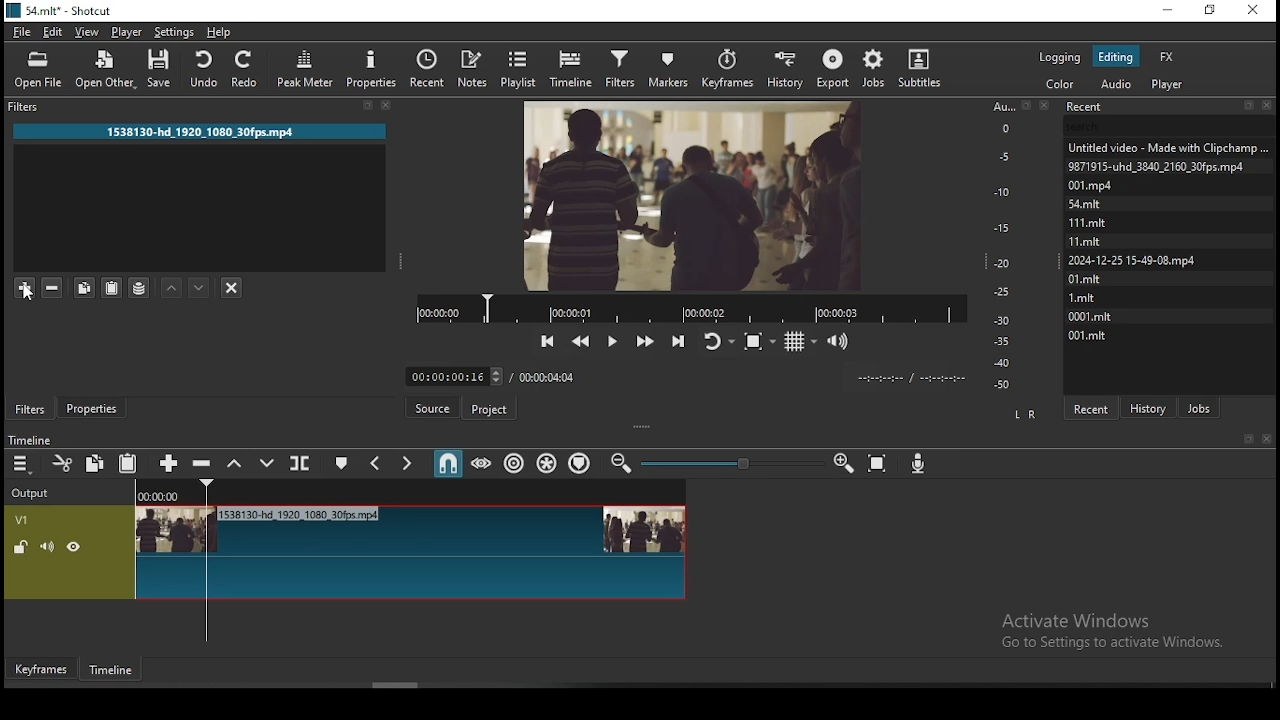 The image size is (1280, 720). Describe the element at coordinates (141, 288) in the screenshot. I see `save a filter set` at that location.